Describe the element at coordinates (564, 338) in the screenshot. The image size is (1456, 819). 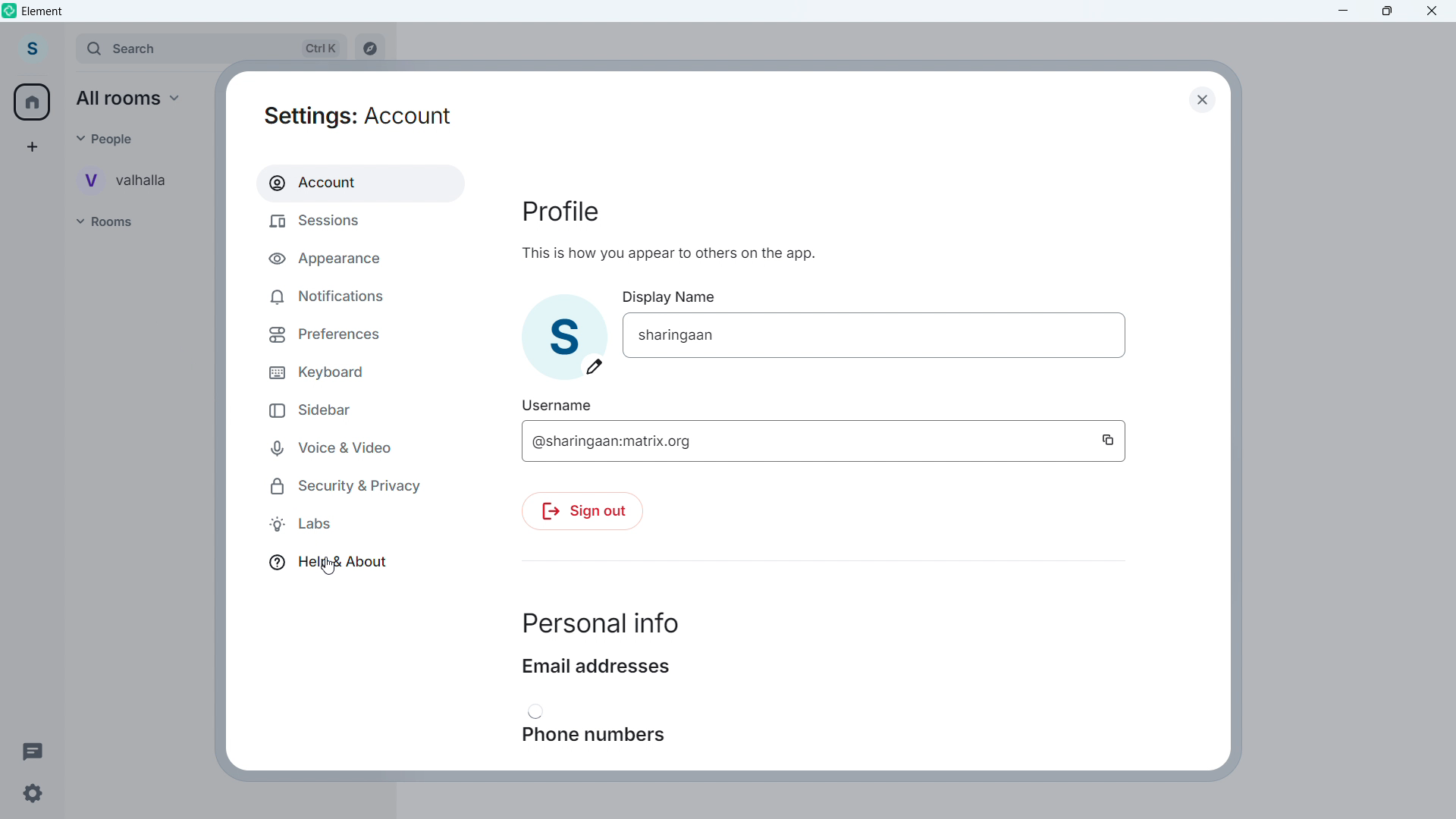
I see `Add profile picture ` at that location.